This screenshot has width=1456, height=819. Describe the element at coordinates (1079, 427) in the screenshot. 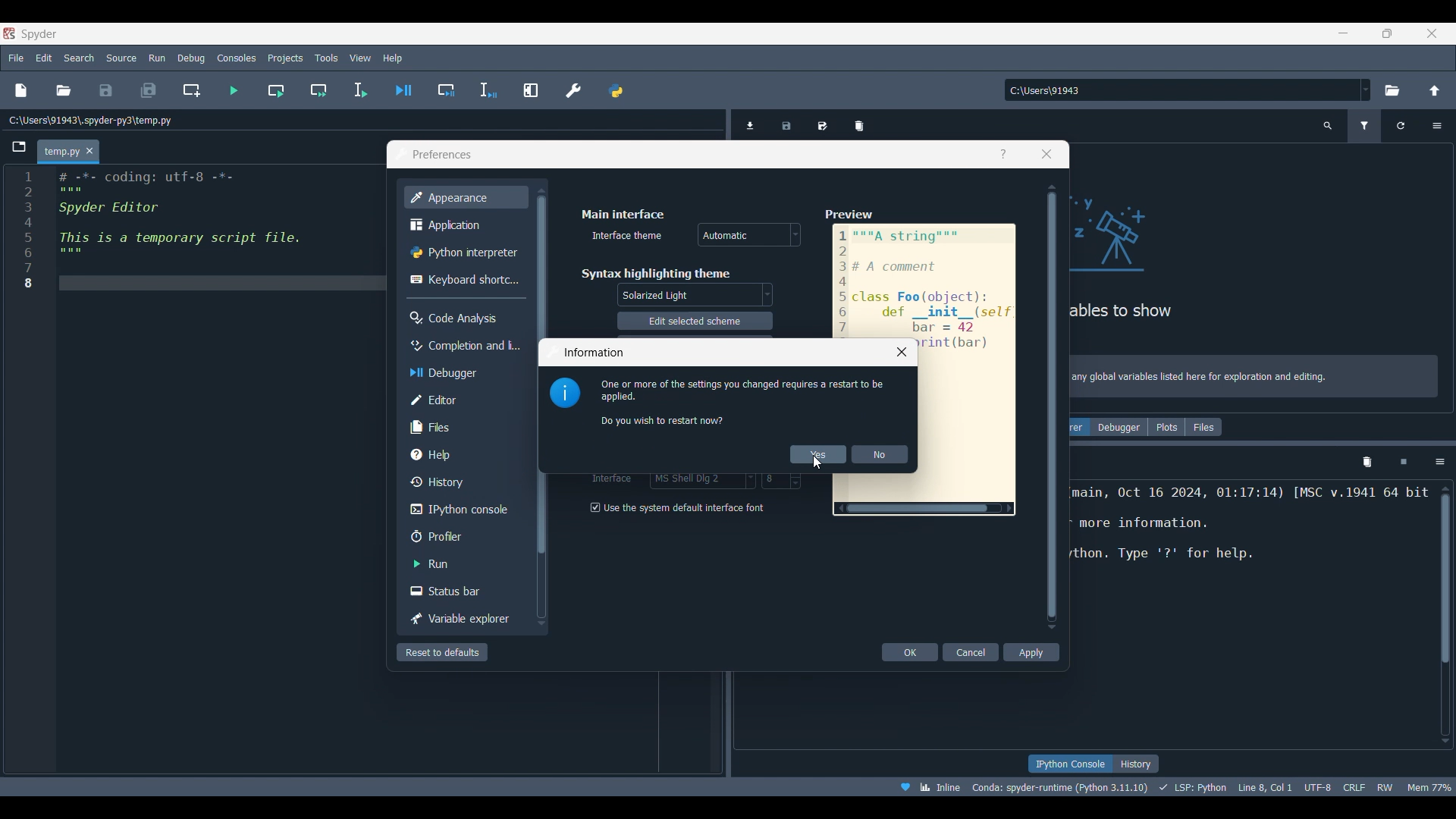

I see `Variable explorer` at that location.